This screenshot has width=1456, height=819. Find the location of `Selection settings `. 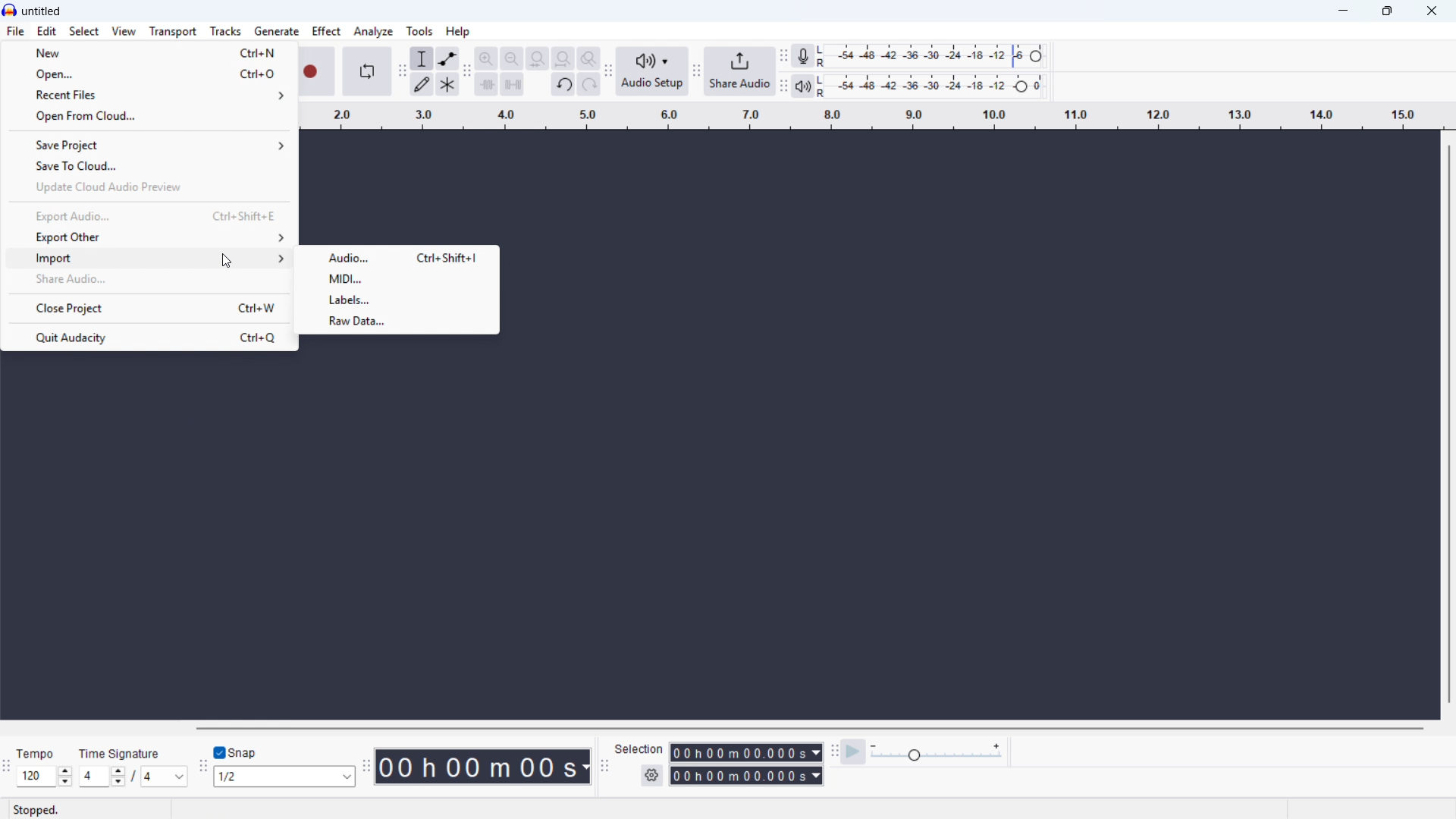

Selection settings  is located at coordinates (652, 775).